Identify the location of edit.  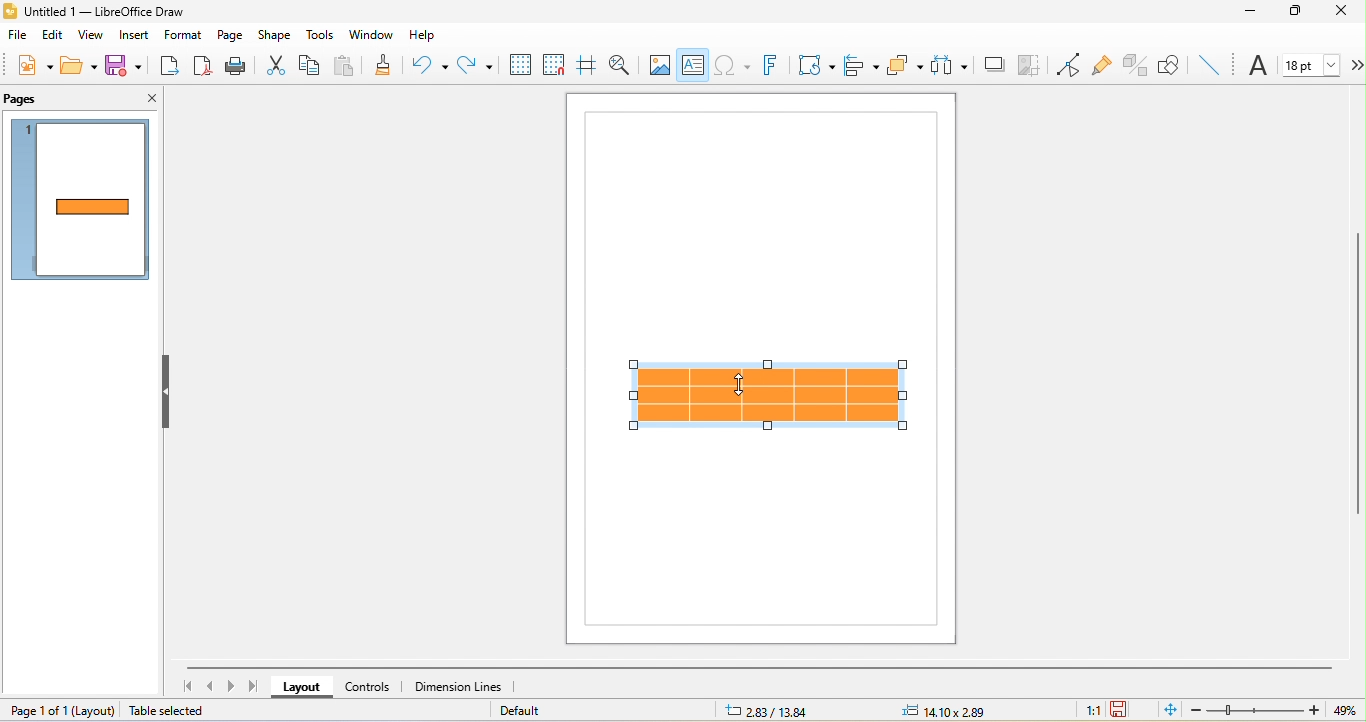
(51, 34).